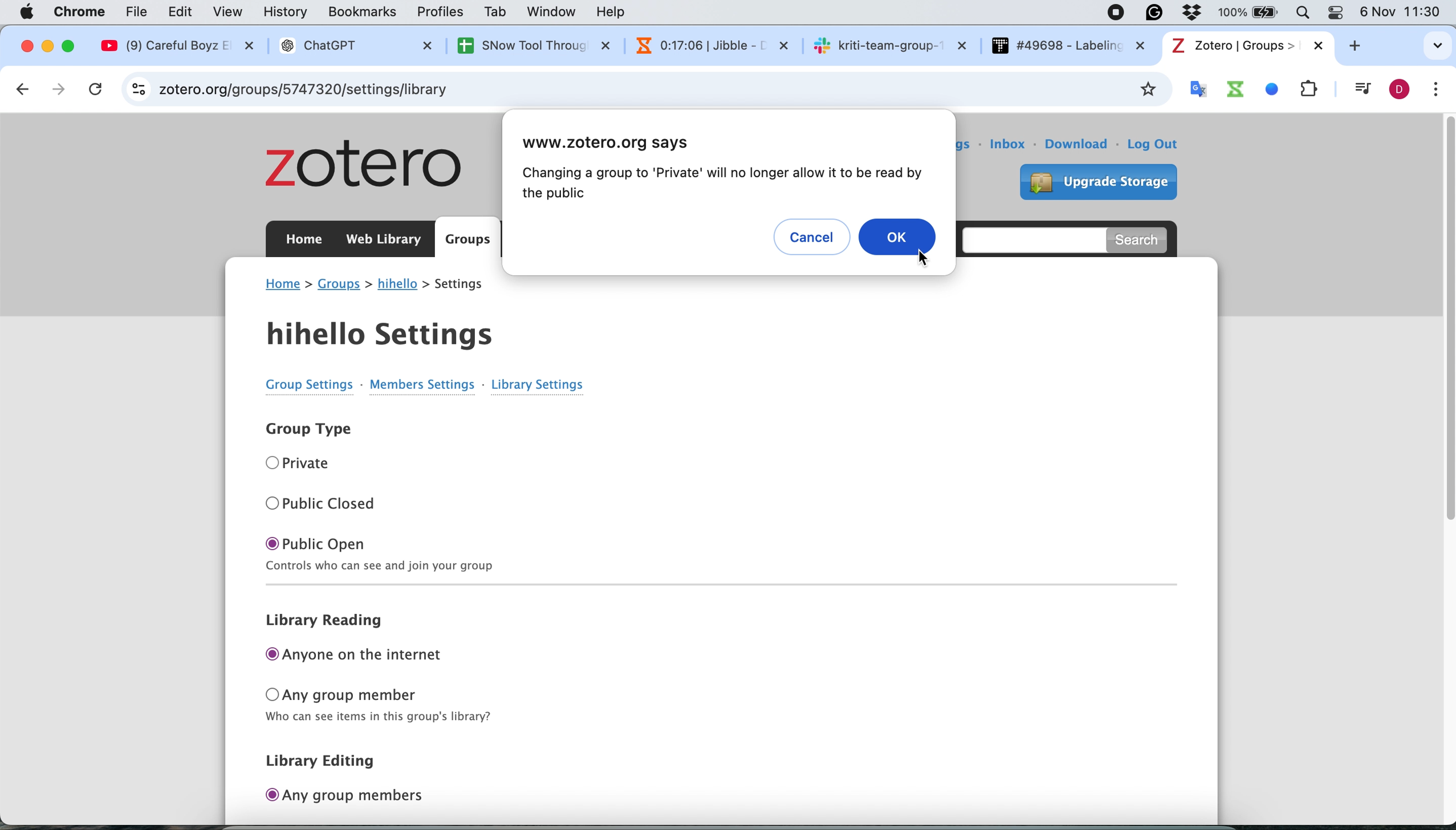 The height and width of the screenshot is (830, 1456). What do you see at coordinates (387, 330) in the screenshot?
I see `hihello` at bounding box center [387, 330].